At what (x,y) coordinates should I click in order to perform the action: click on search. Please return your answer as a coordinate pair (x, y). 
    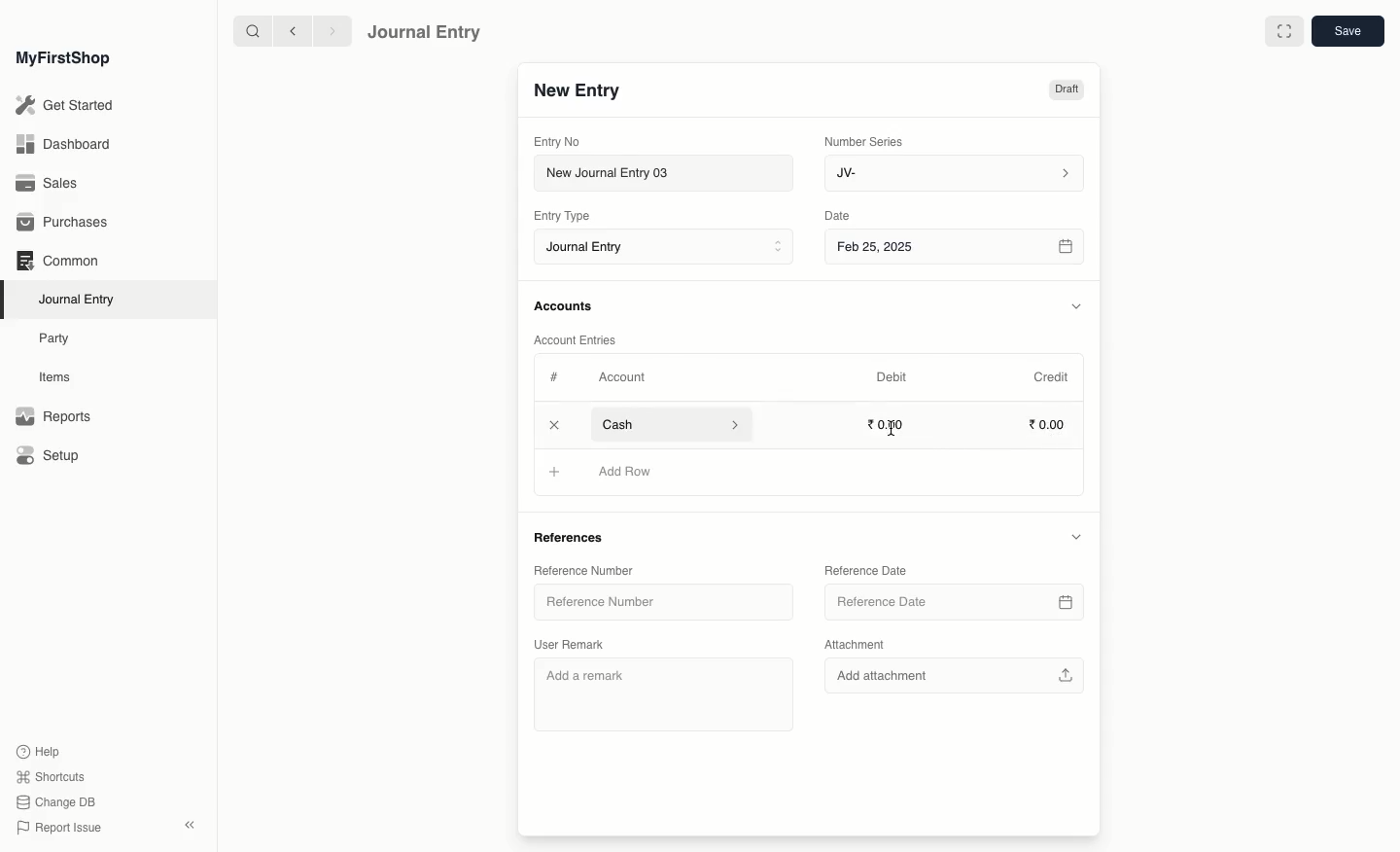
    Looking at the image, I should click on (248, 31).